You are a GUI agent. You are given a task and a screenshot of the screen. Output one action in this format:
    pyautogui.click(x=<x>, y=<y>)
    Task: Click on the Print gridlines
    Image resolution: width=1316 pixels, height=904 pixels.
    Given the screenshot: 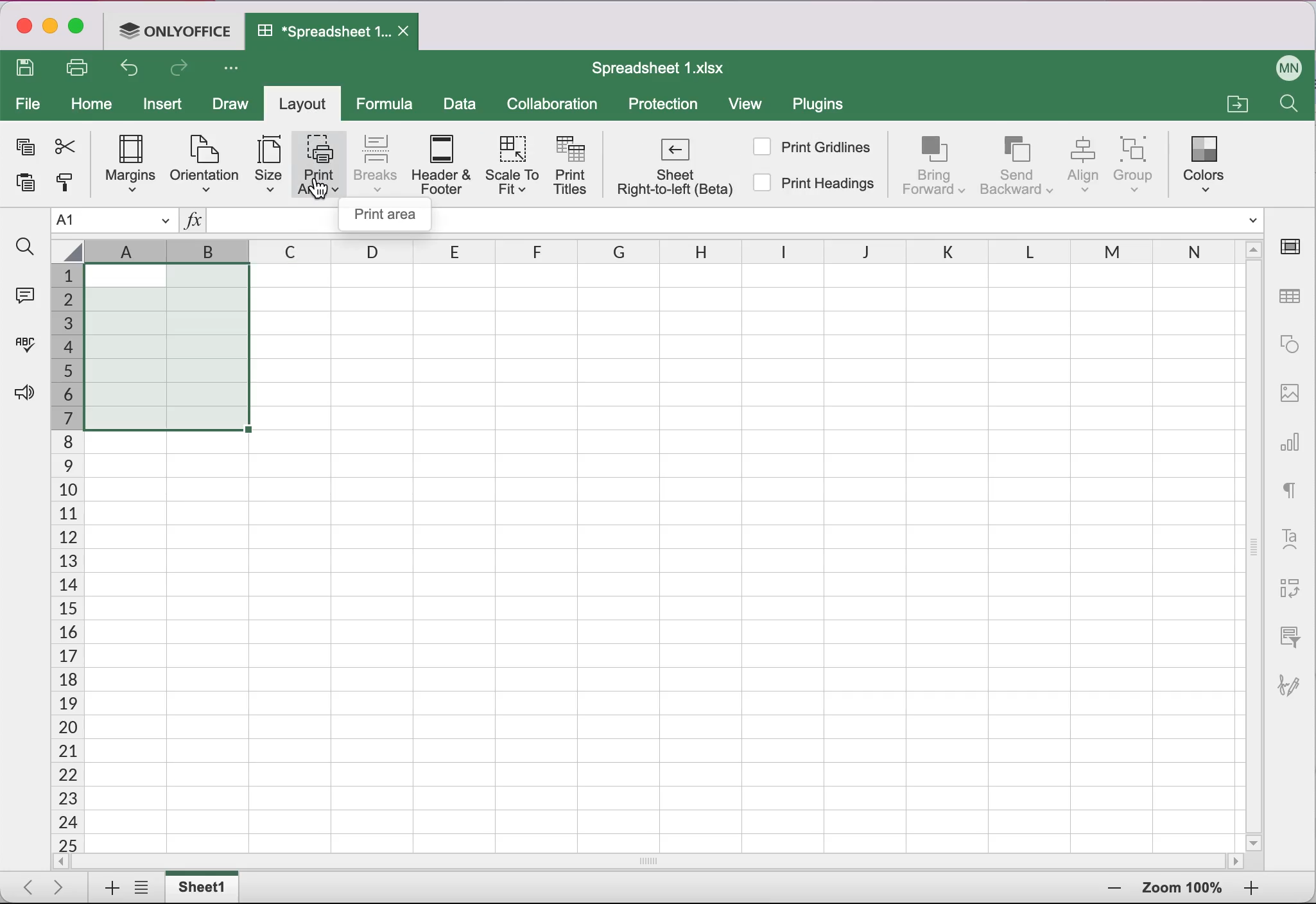 What is the action you would take?
    pyautogui.click(x=813, y=146)
    